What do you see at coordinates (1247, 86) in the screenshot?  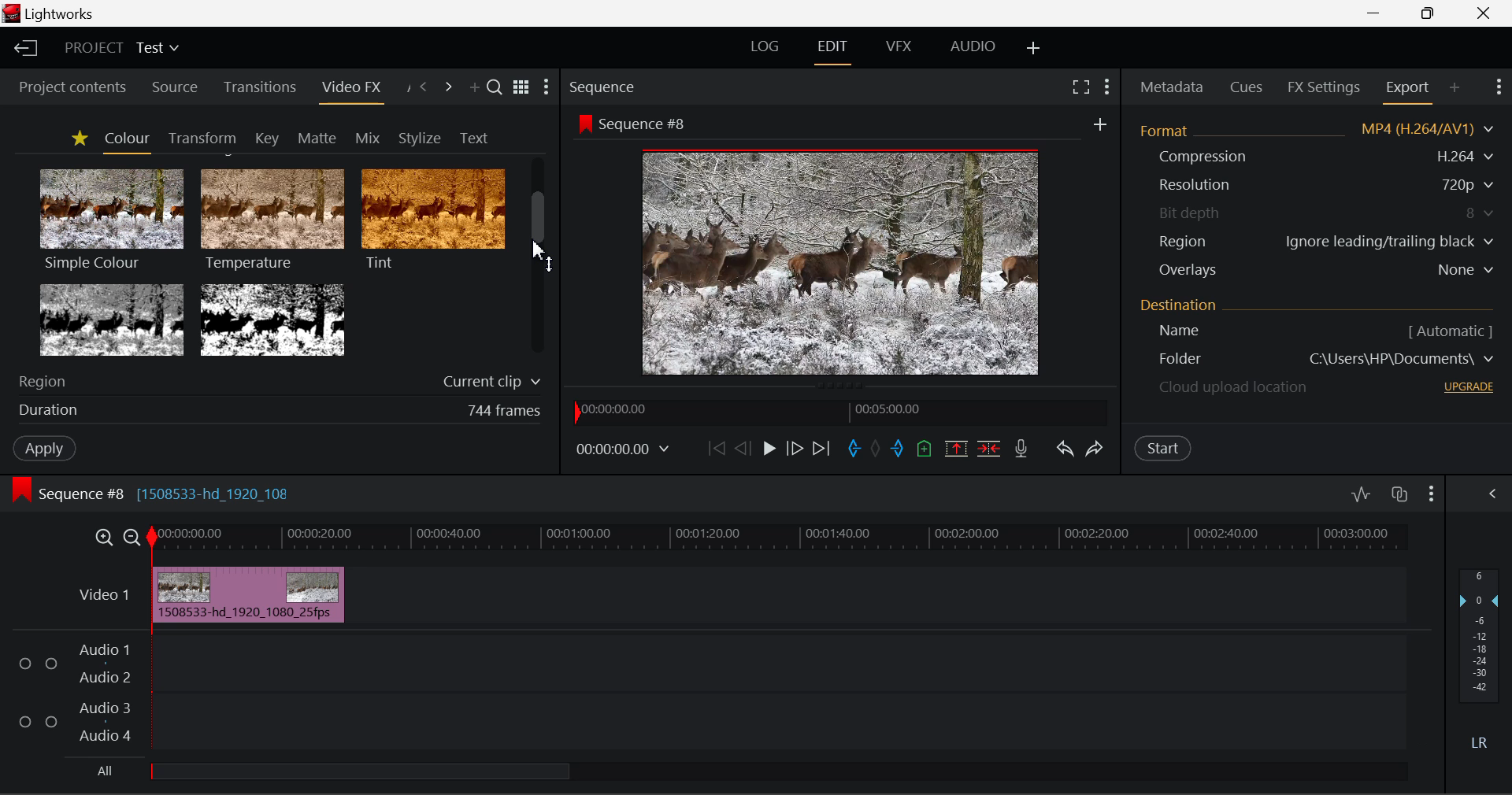 I see `Cues` at bounding box center [1247, 86].